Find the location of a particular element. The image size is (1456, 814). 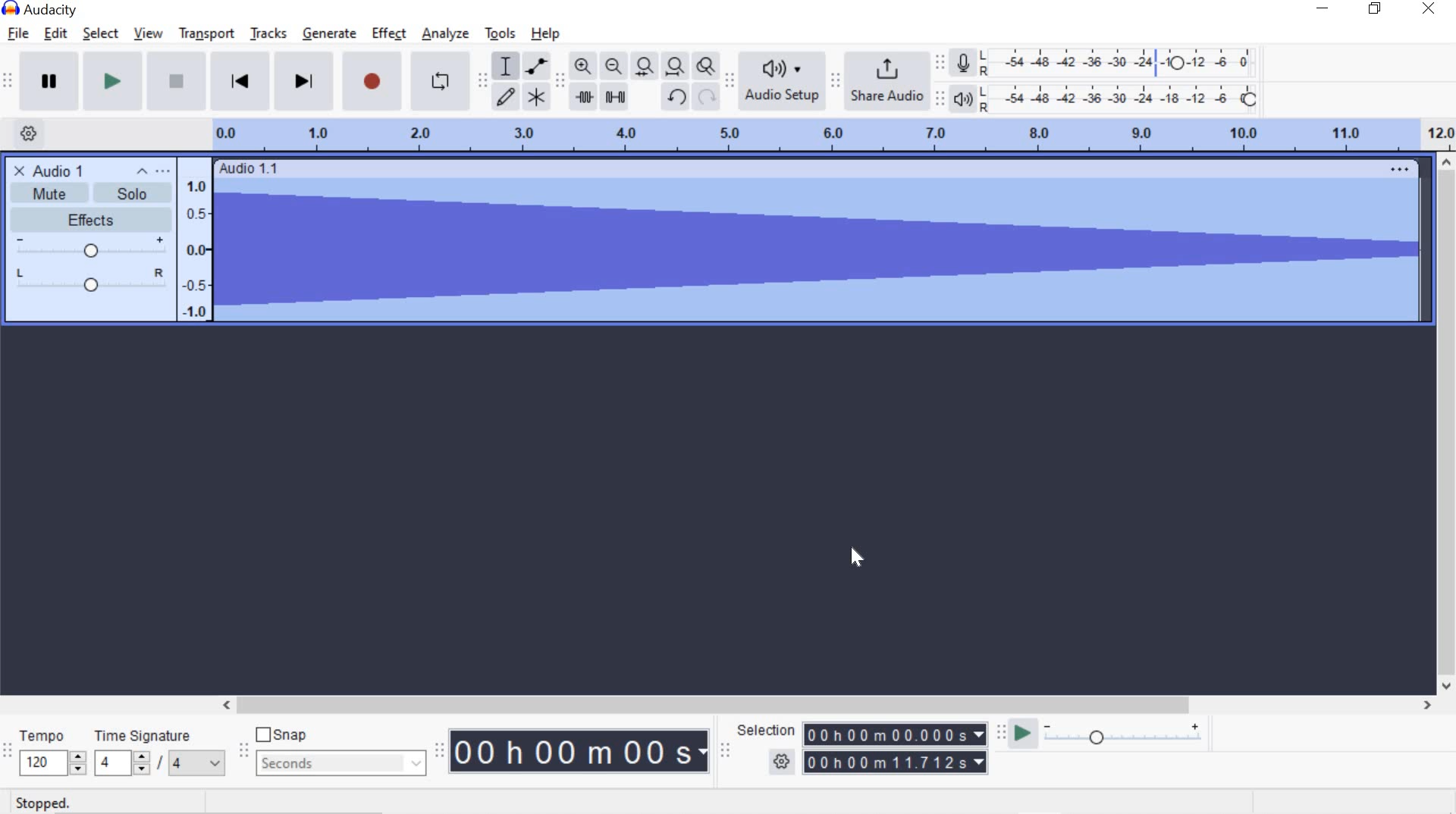

Record is located at coordinates (376, 81).